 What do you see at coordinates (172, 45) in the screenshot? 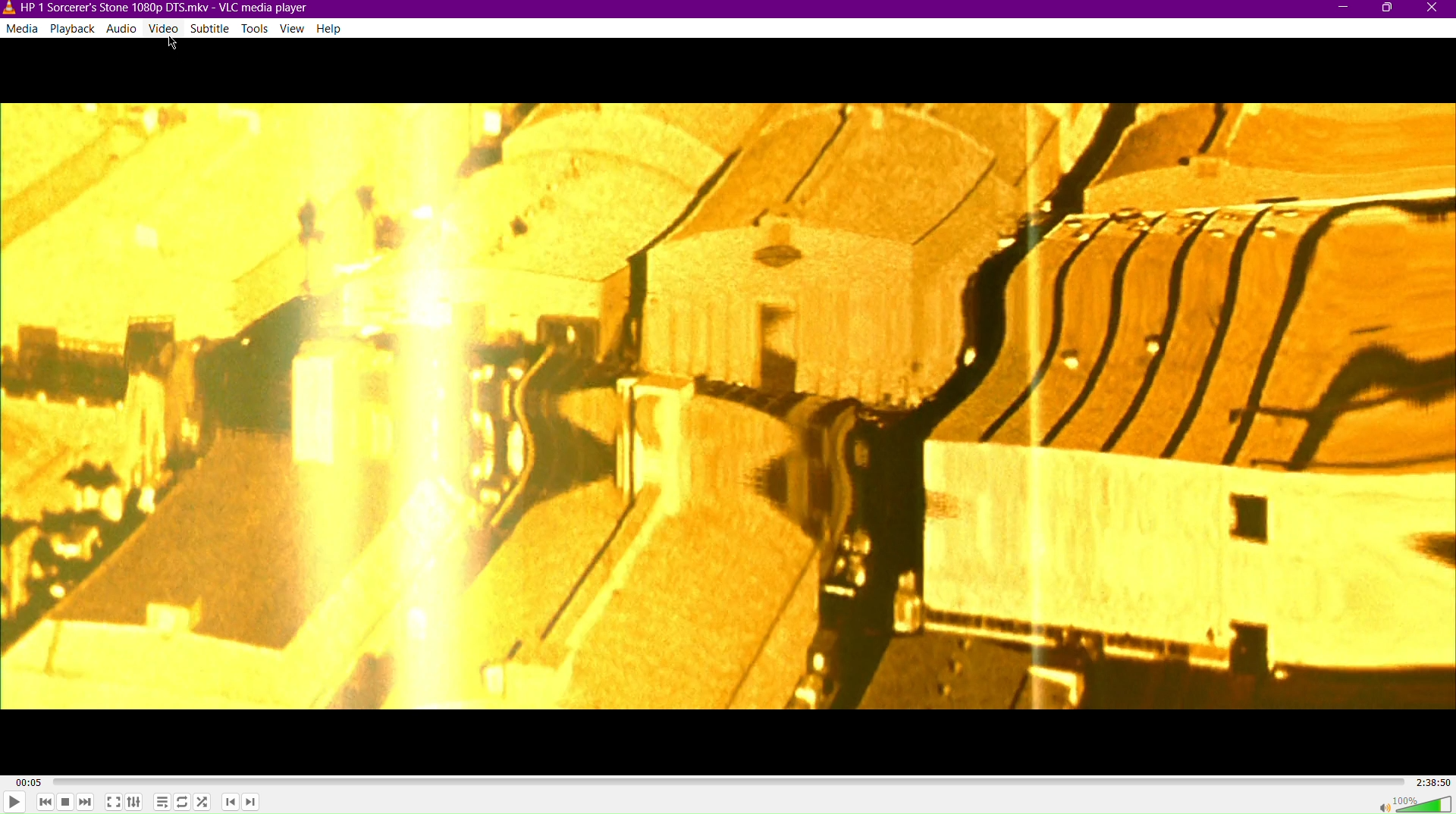
I see `cursor` at bounding box center [172, 45].